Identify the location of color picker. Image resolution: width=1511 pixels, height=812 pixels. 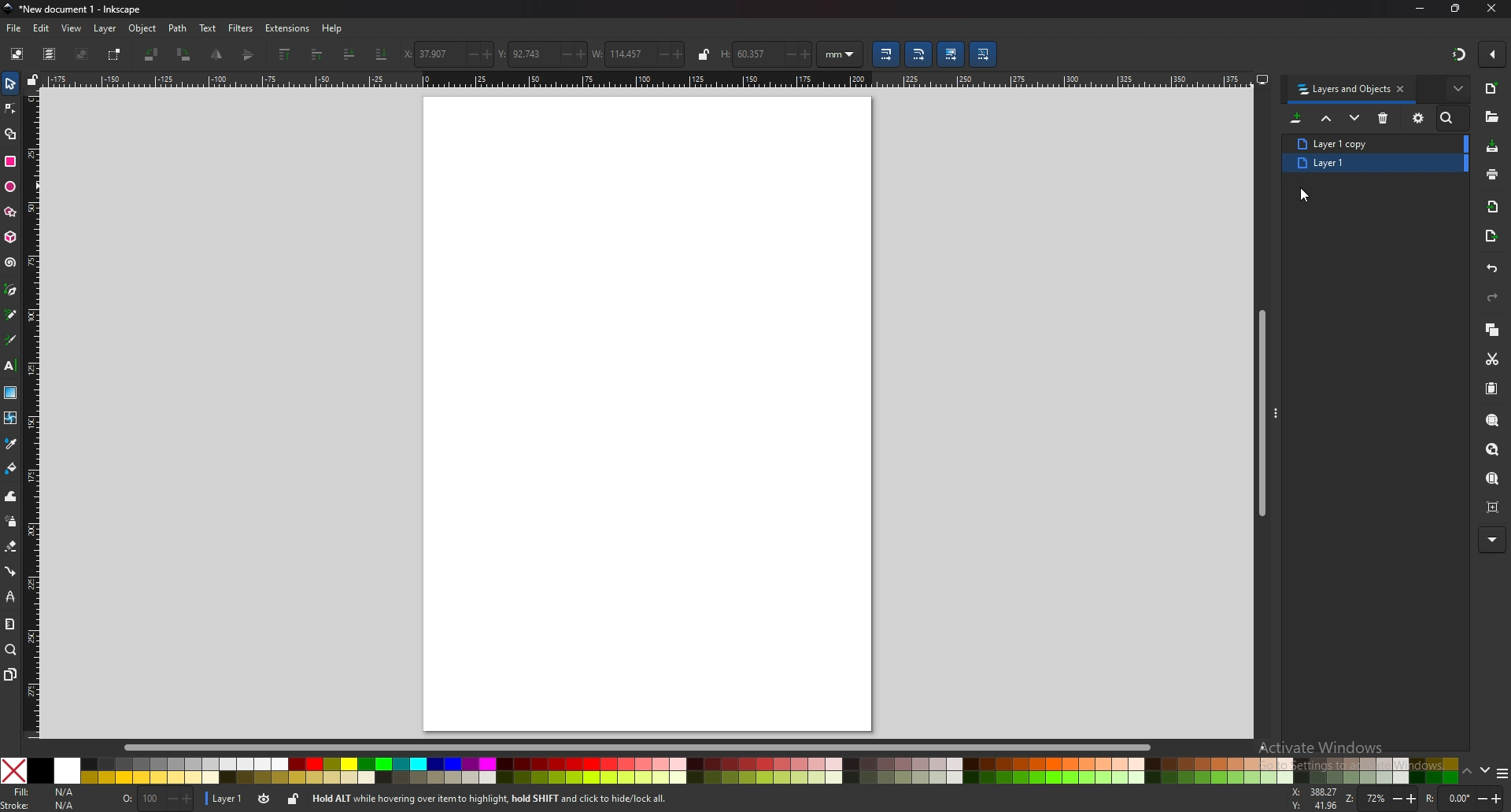
(10, 445).